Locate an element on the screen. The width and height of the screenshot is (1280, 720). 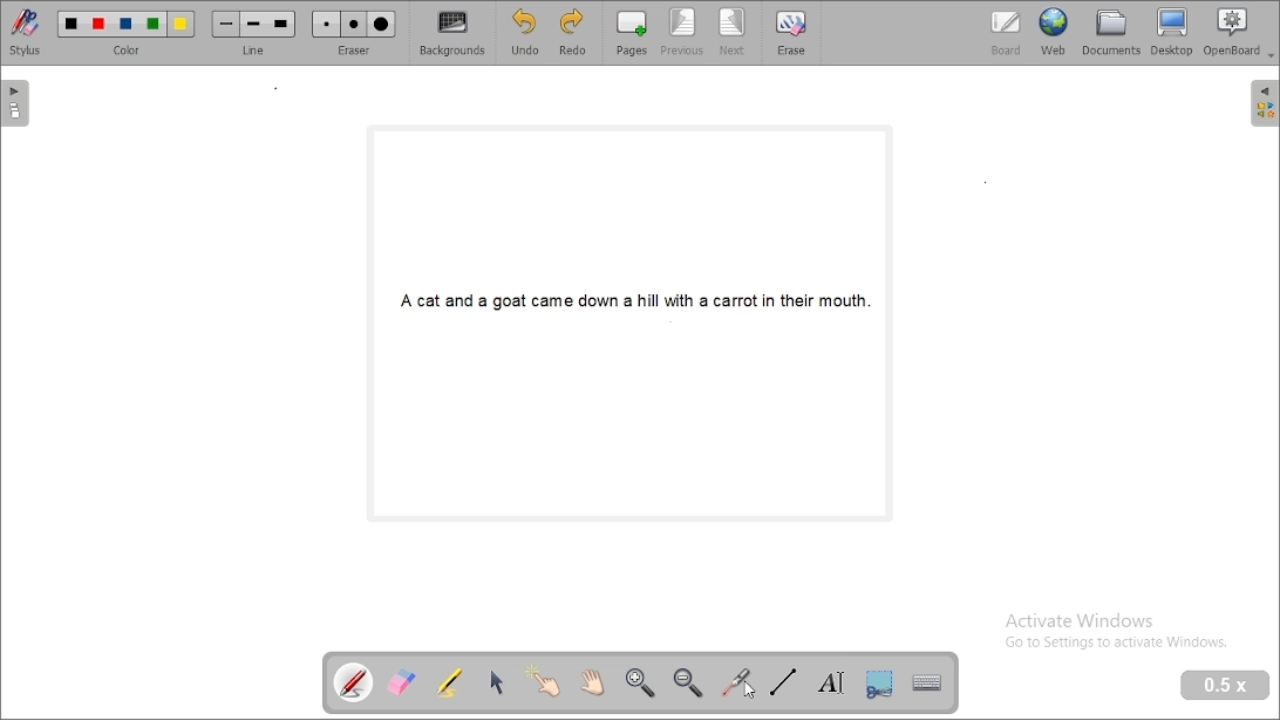
backgrounds is located at coordinates (454, 33).